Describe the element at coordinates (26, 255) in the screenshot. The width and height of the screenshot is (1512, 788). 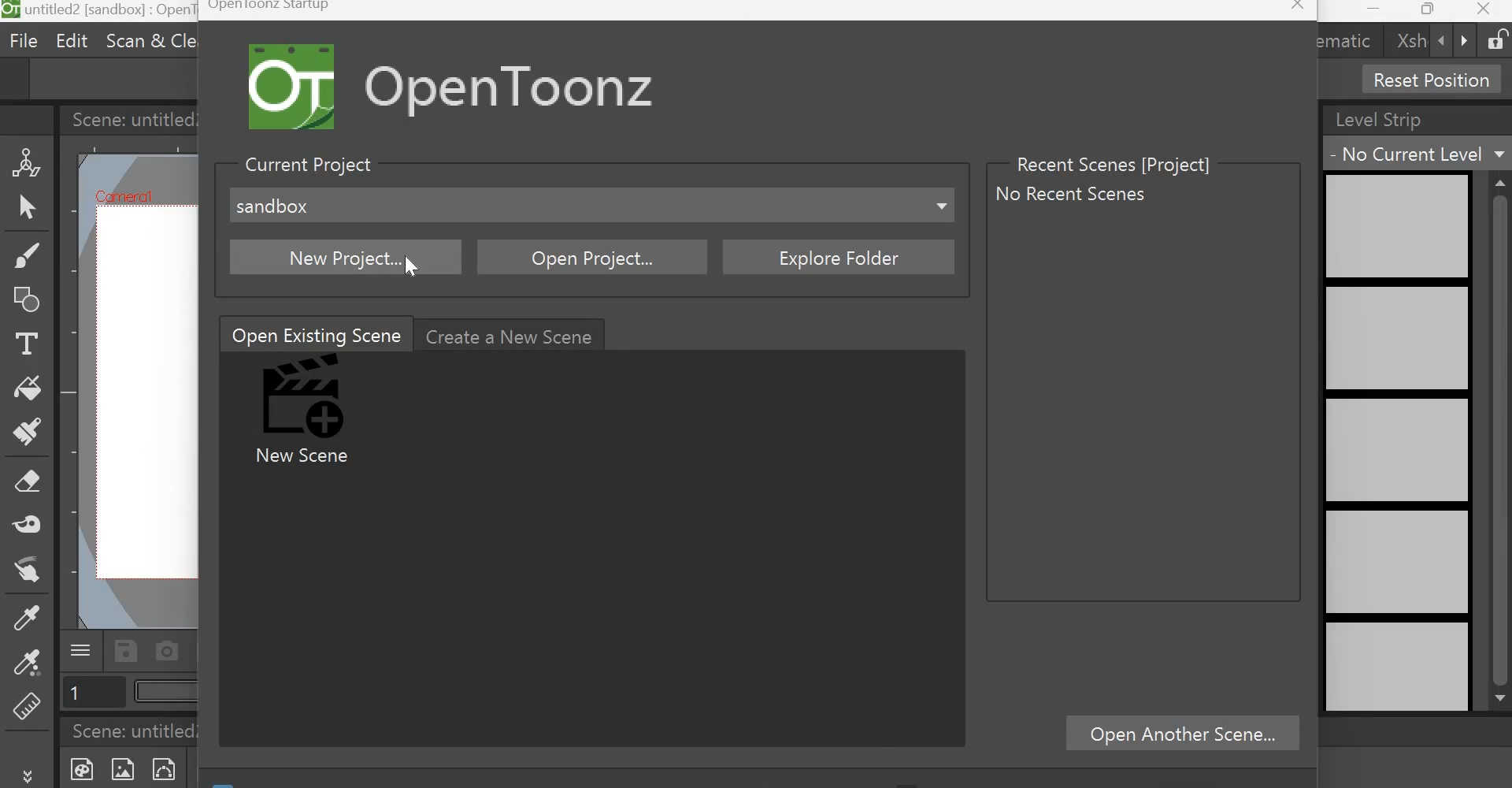
I see `Brush tool` at that location.